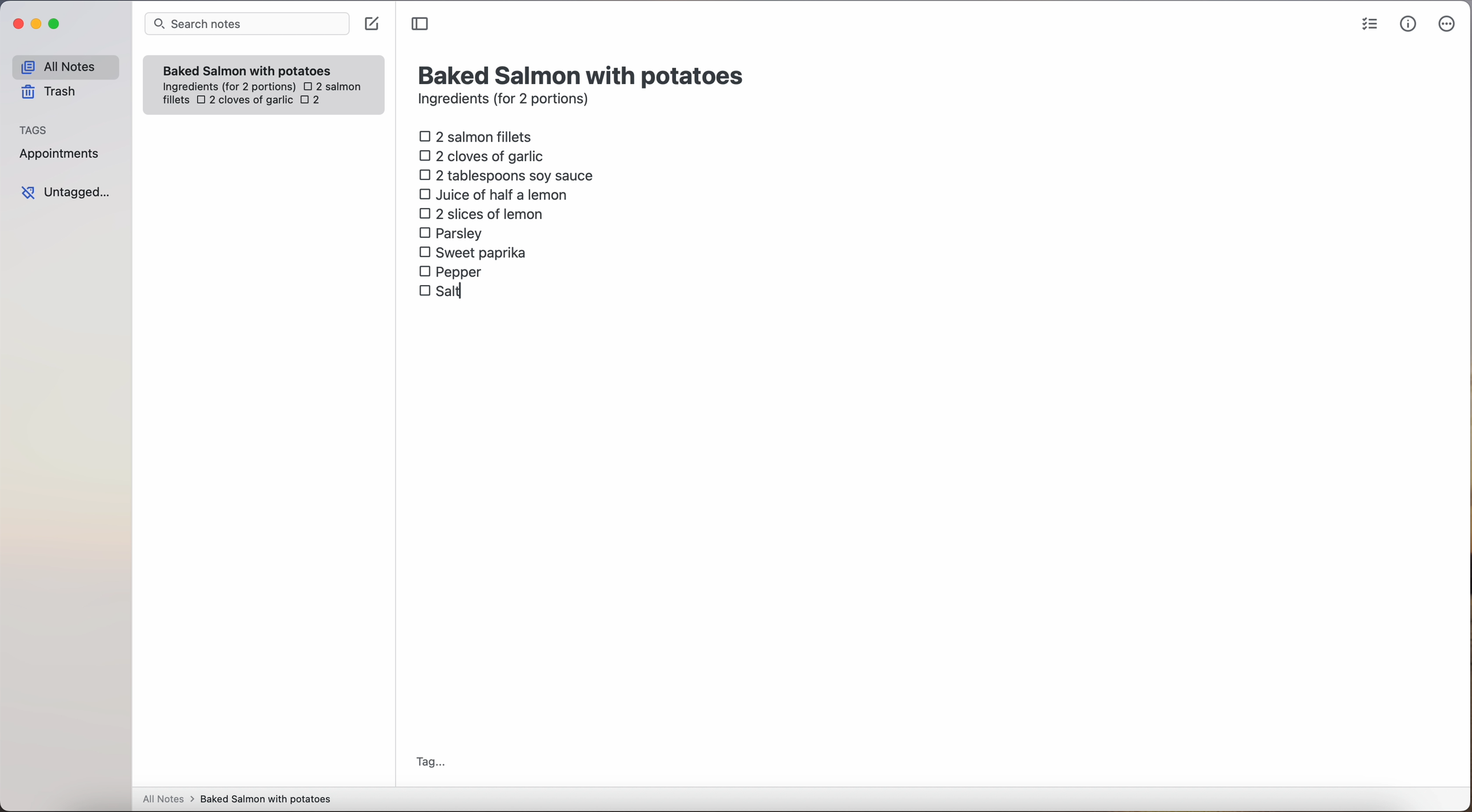 The image size is (1472, 812). I want to click on untagged, so click(67, 192).